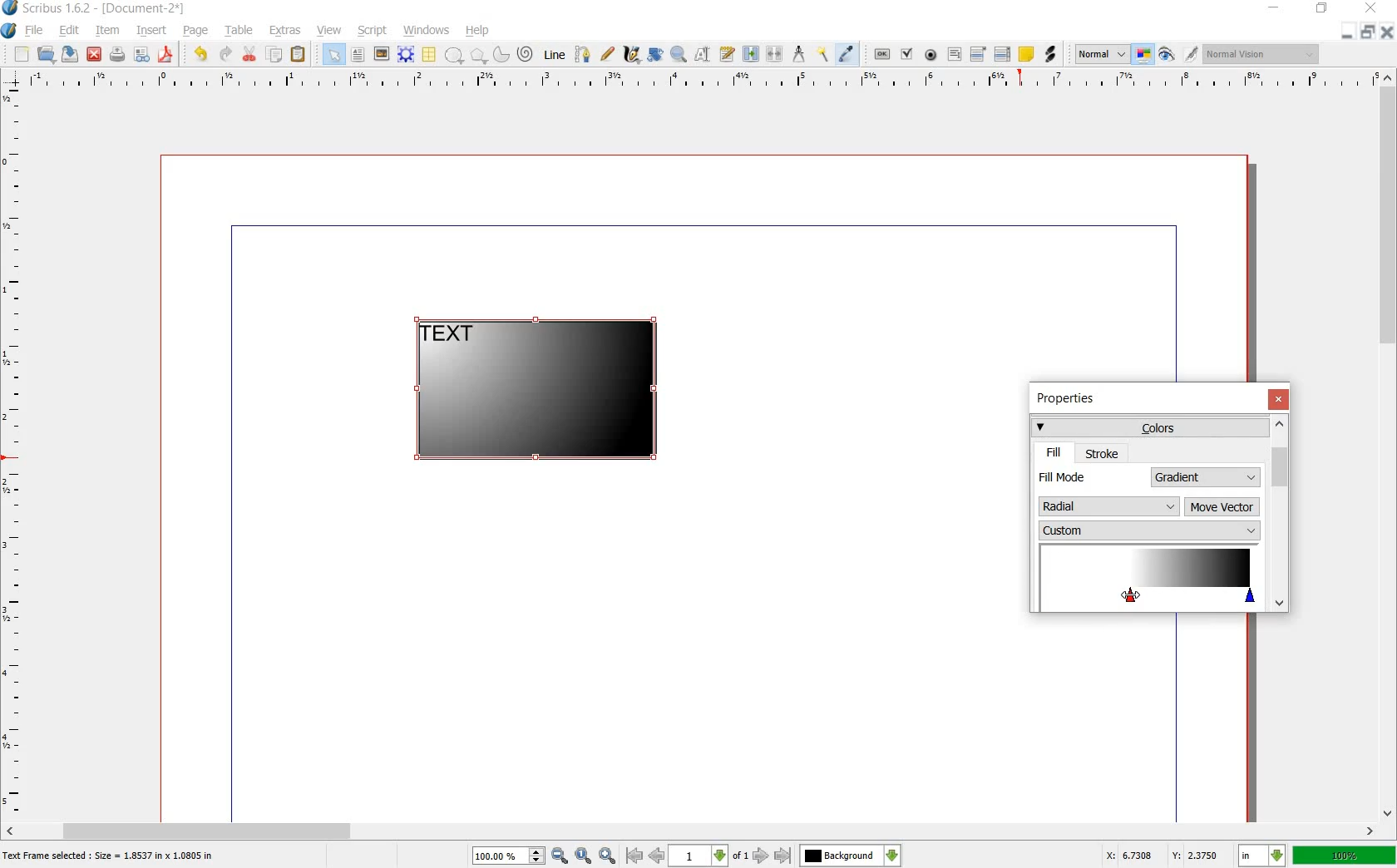  I want to click on gradient, so click(1207, 477).